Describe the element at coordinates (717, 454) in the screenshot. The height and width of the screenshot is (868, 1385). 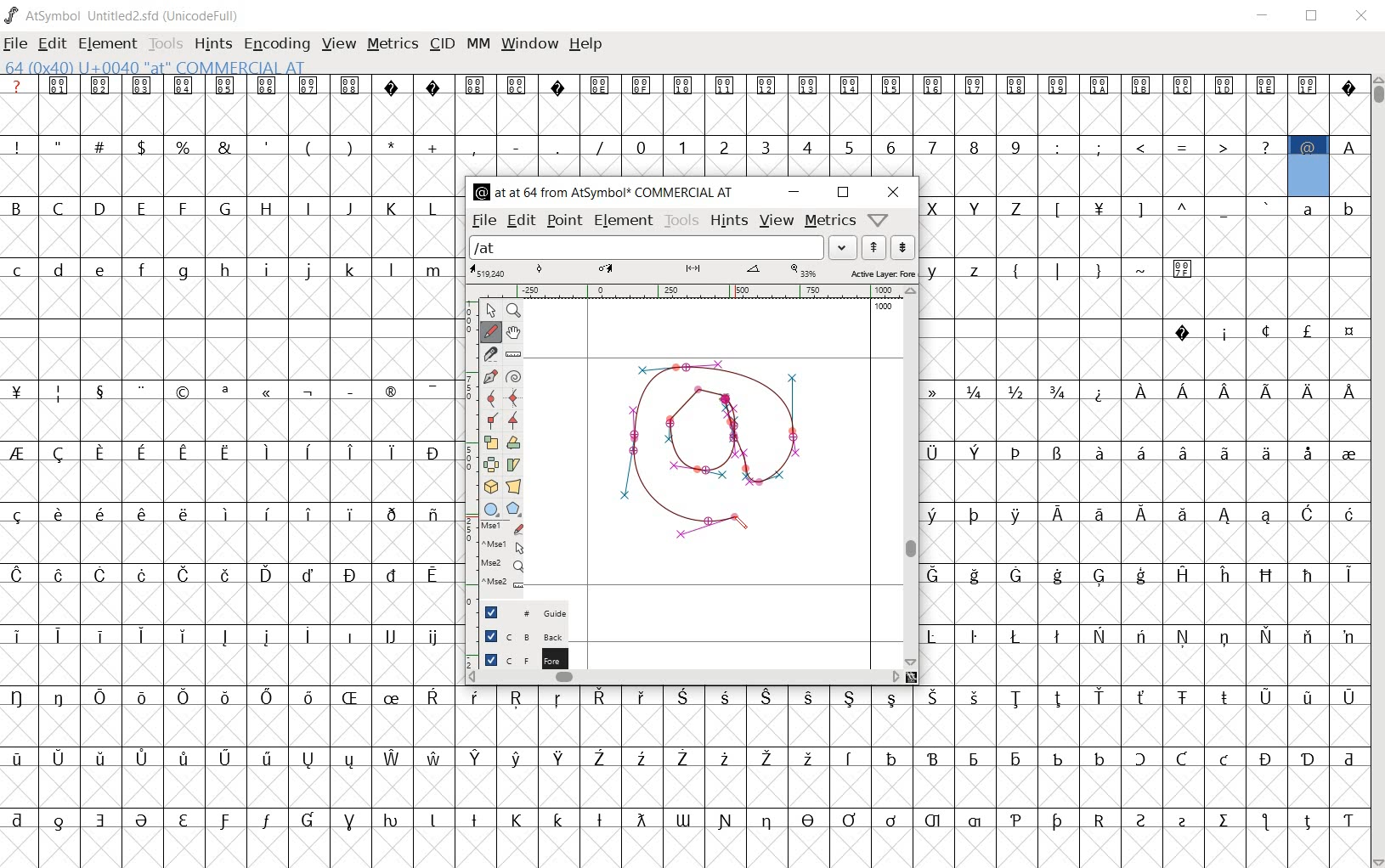
I see `at sign designed` at that location.